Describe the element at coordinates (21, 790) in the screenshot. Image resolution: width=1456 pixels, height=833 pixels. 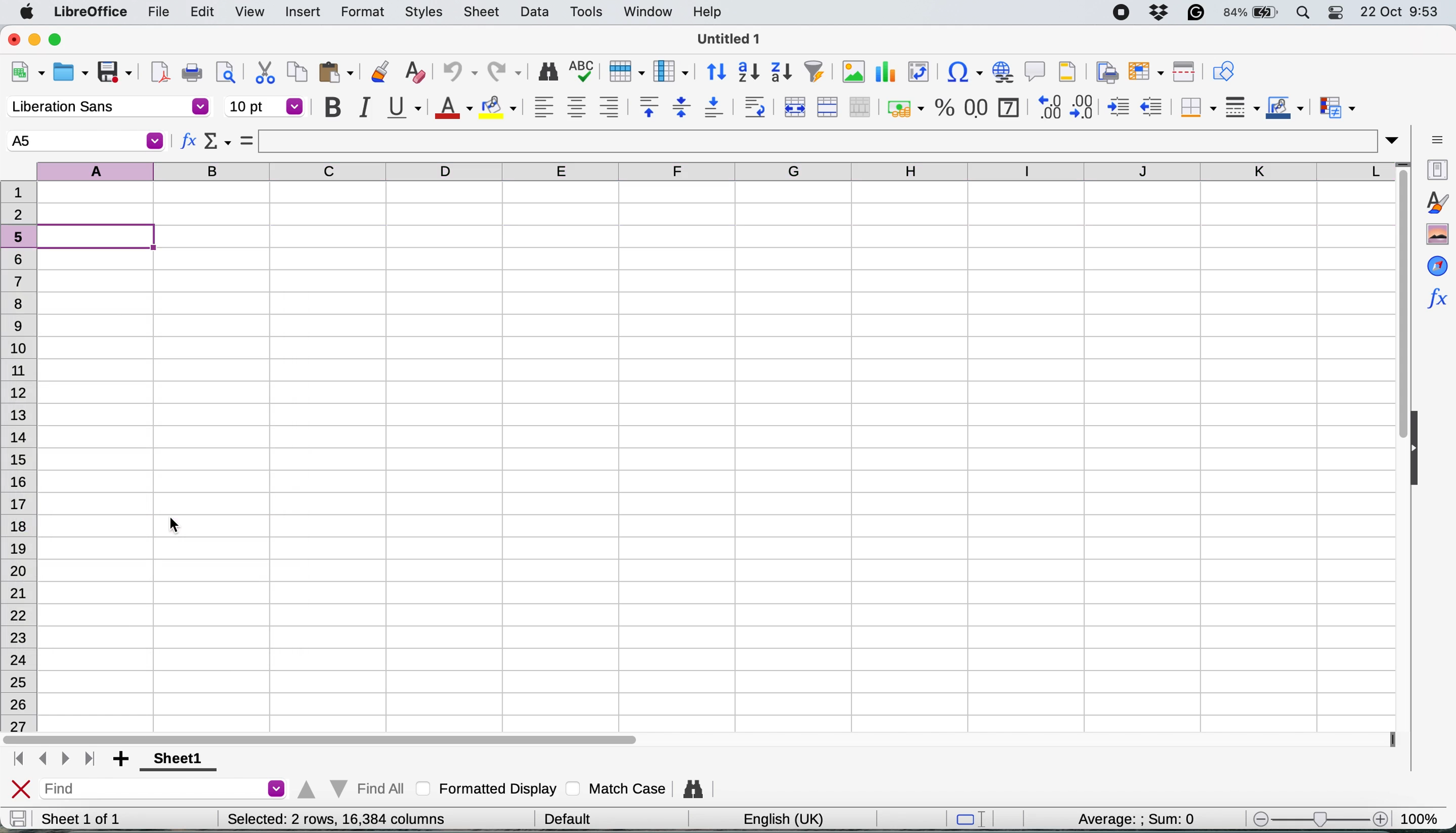
I see `close` at that location.